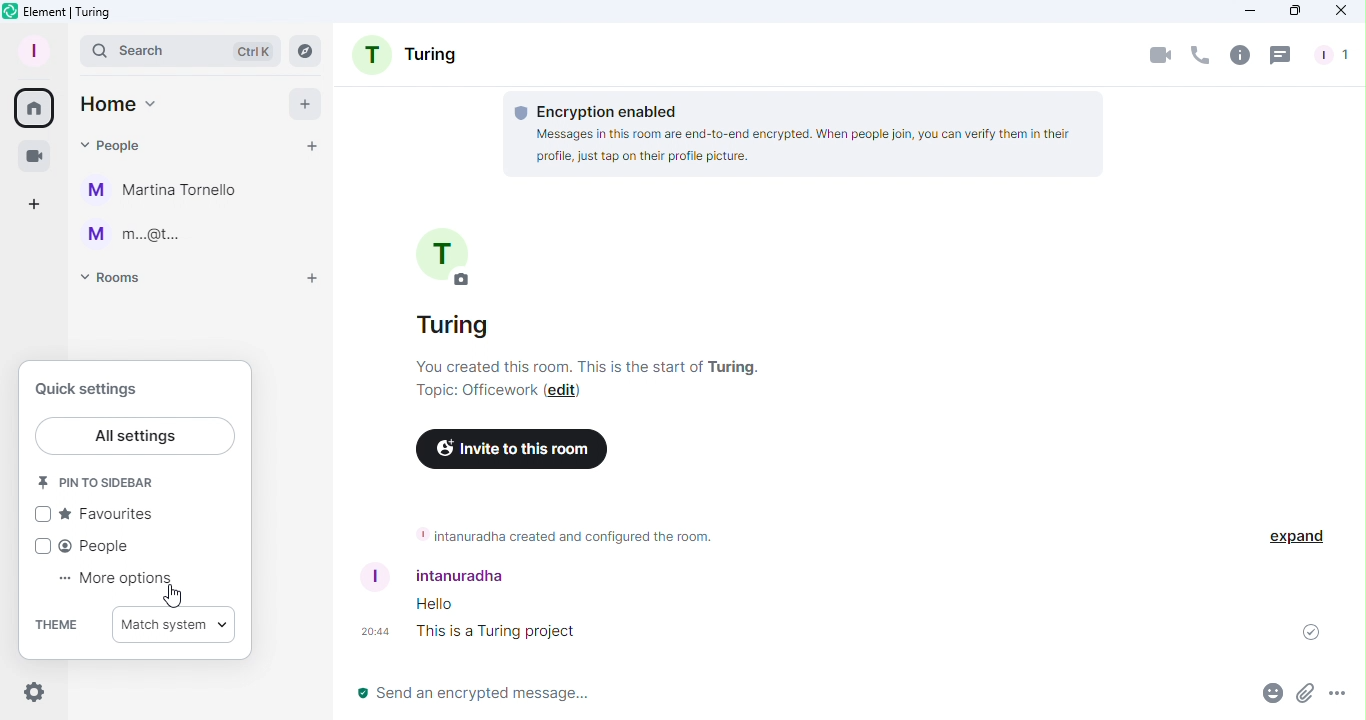 Image resolution: width=1366 pixels, height=720 pixels. Describe the element at coordinates (132, 233) in the screenshot. I see `m...@t...` at that location.